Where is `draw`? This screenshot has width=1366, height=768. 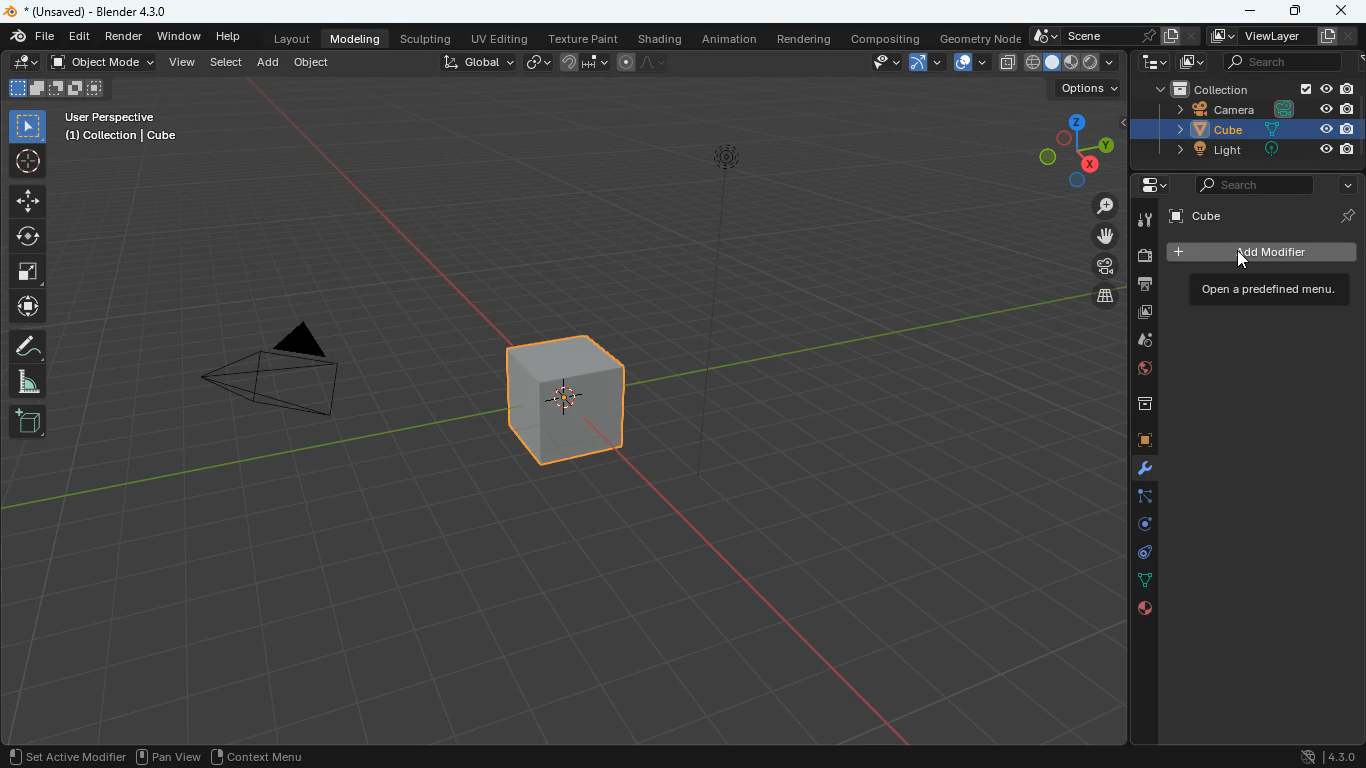 draw is located at coordinates (30, 345).